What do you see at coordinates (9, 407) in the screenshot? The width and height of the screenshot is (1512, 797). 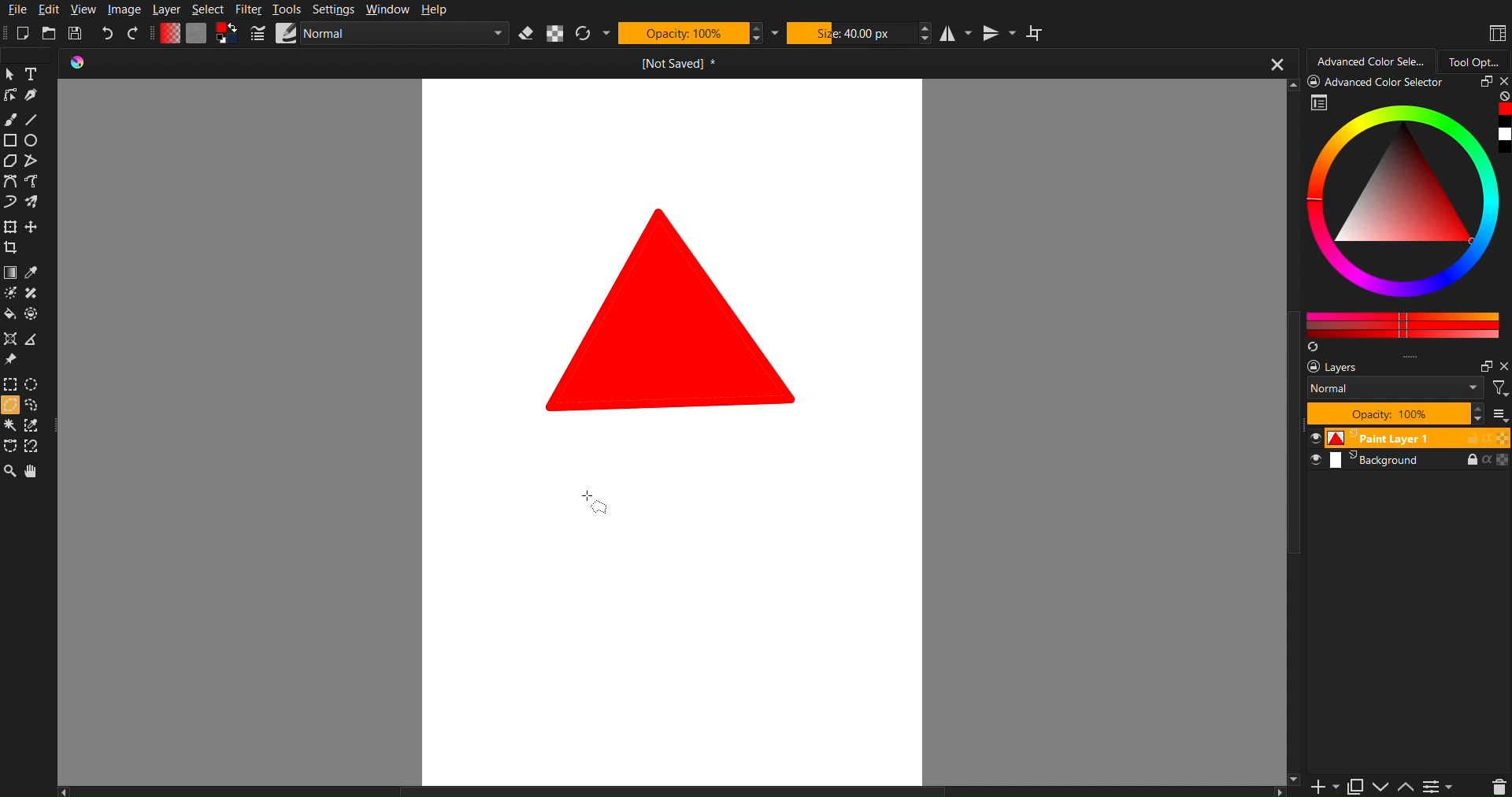 I see `Cursor` at bounding box center [9, 407].